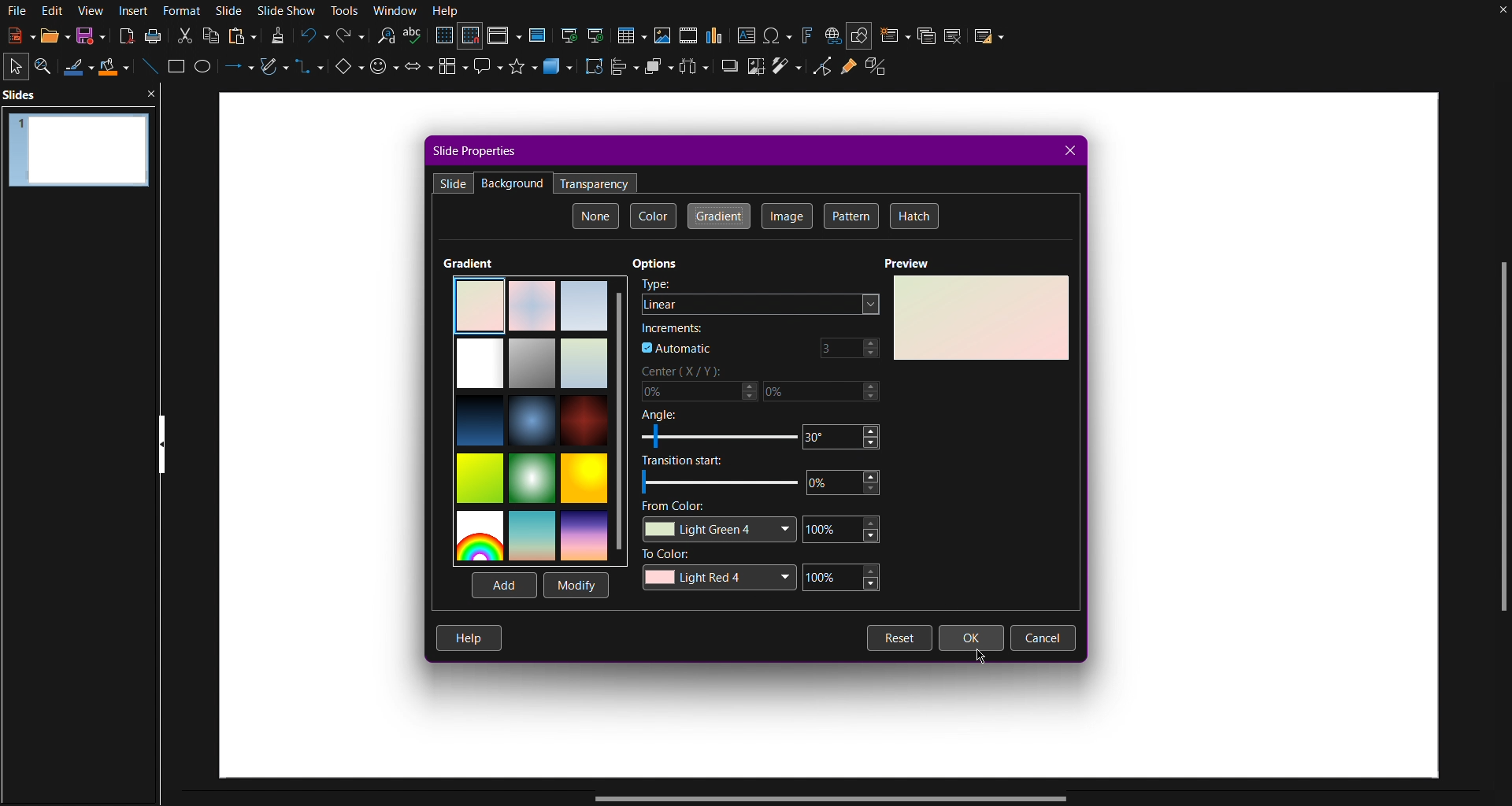 This screenshot has width=1512, height=806. What do you see at coordinates (346, 11) in the screenshot?
I see `Tools` at bounding box center [346, 11].